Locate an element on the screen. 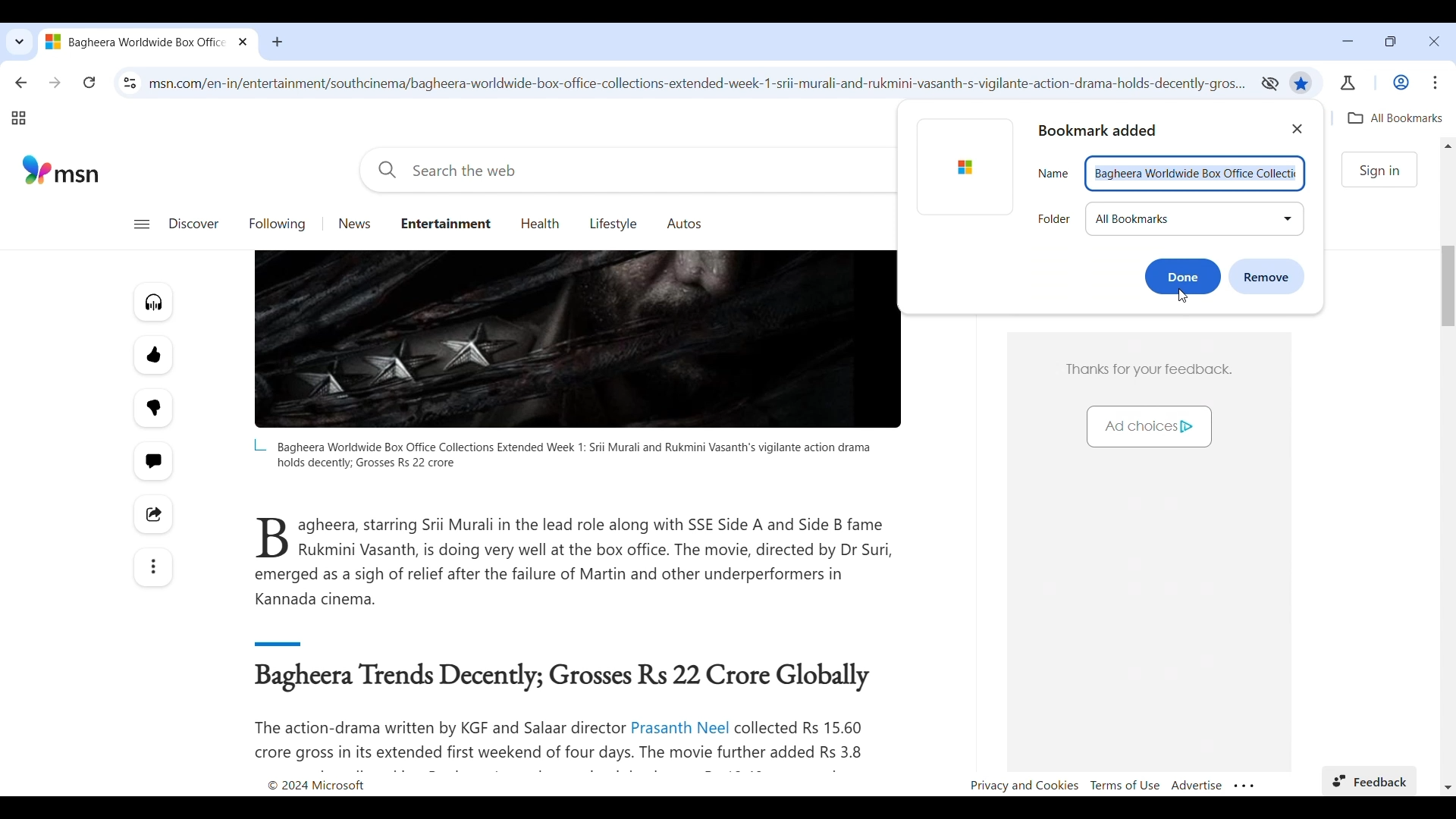 This screenshot has height=819, width=1456. Listen to this article is located at coordinates (153, 302).